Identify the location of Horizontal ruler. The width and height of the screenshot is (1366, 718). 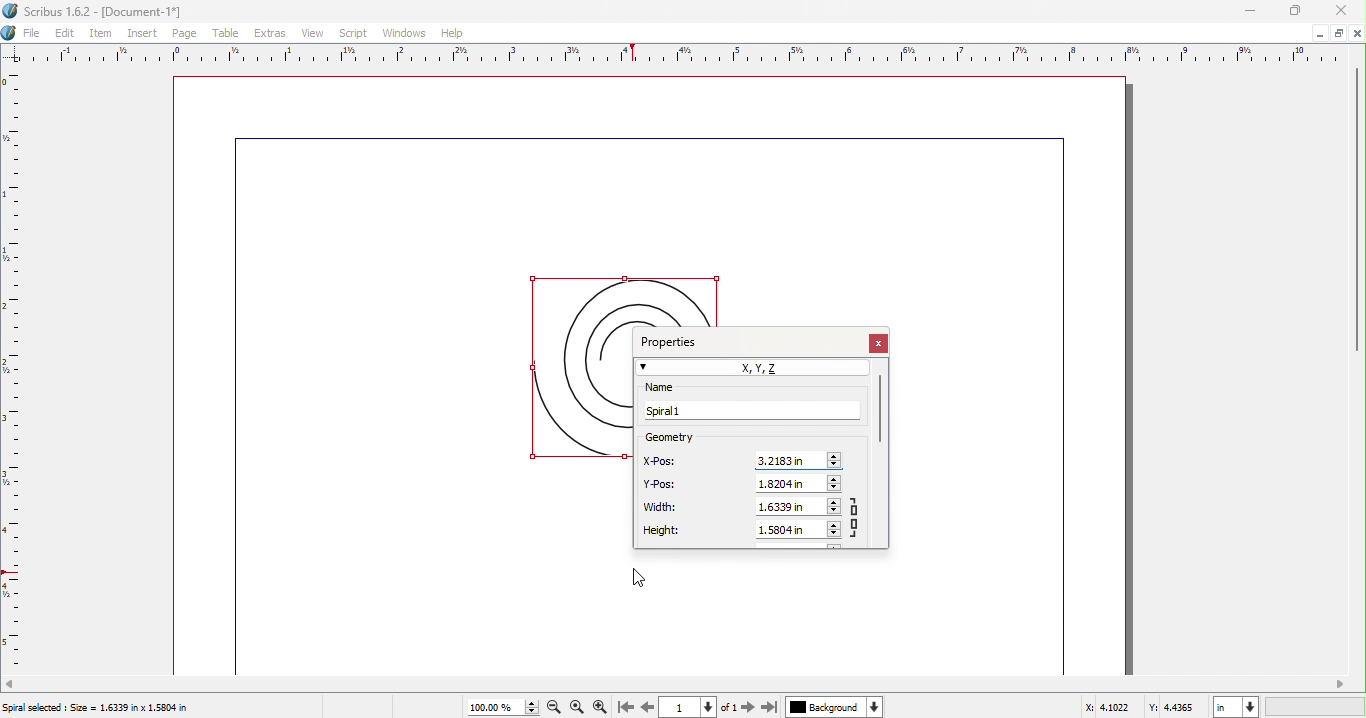
(671, 55).